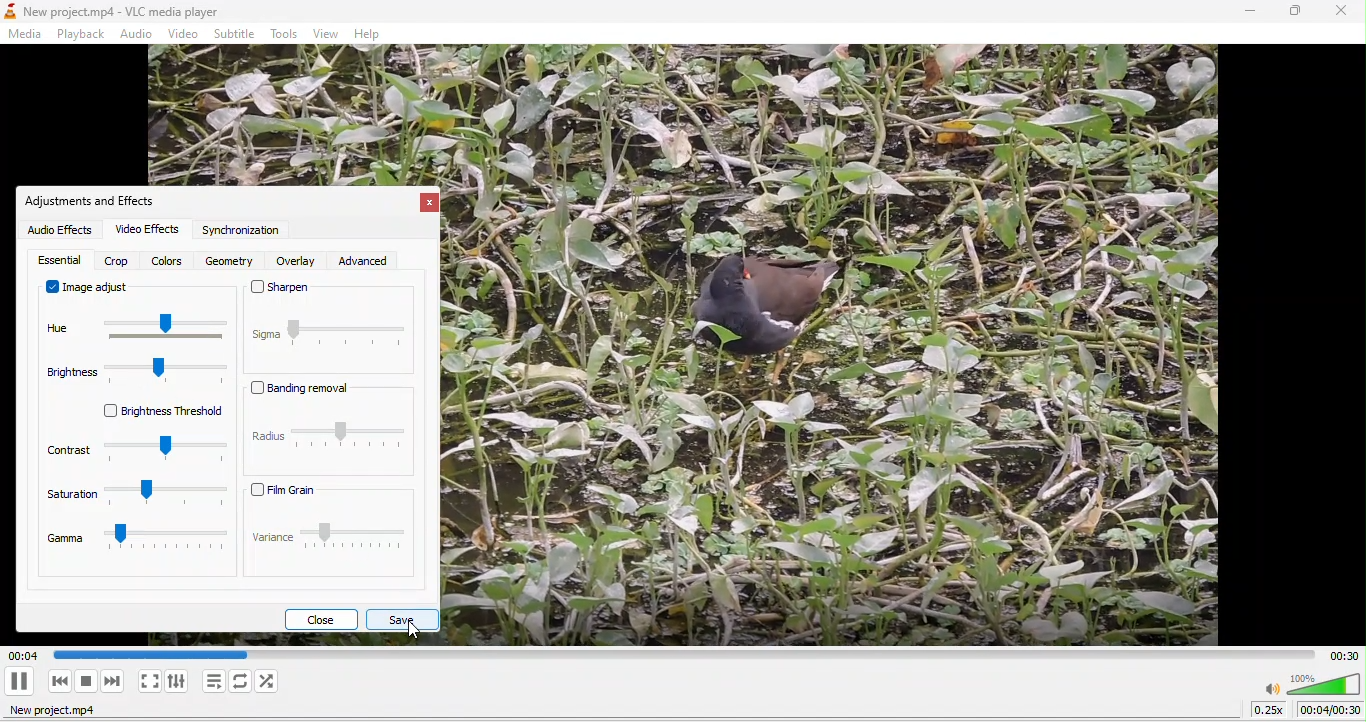 Image resolution: width=1366 pixels, height=722 pixels. Describe the element at coordinates (1339, 13) in the screenshot. I see `close` at that location.